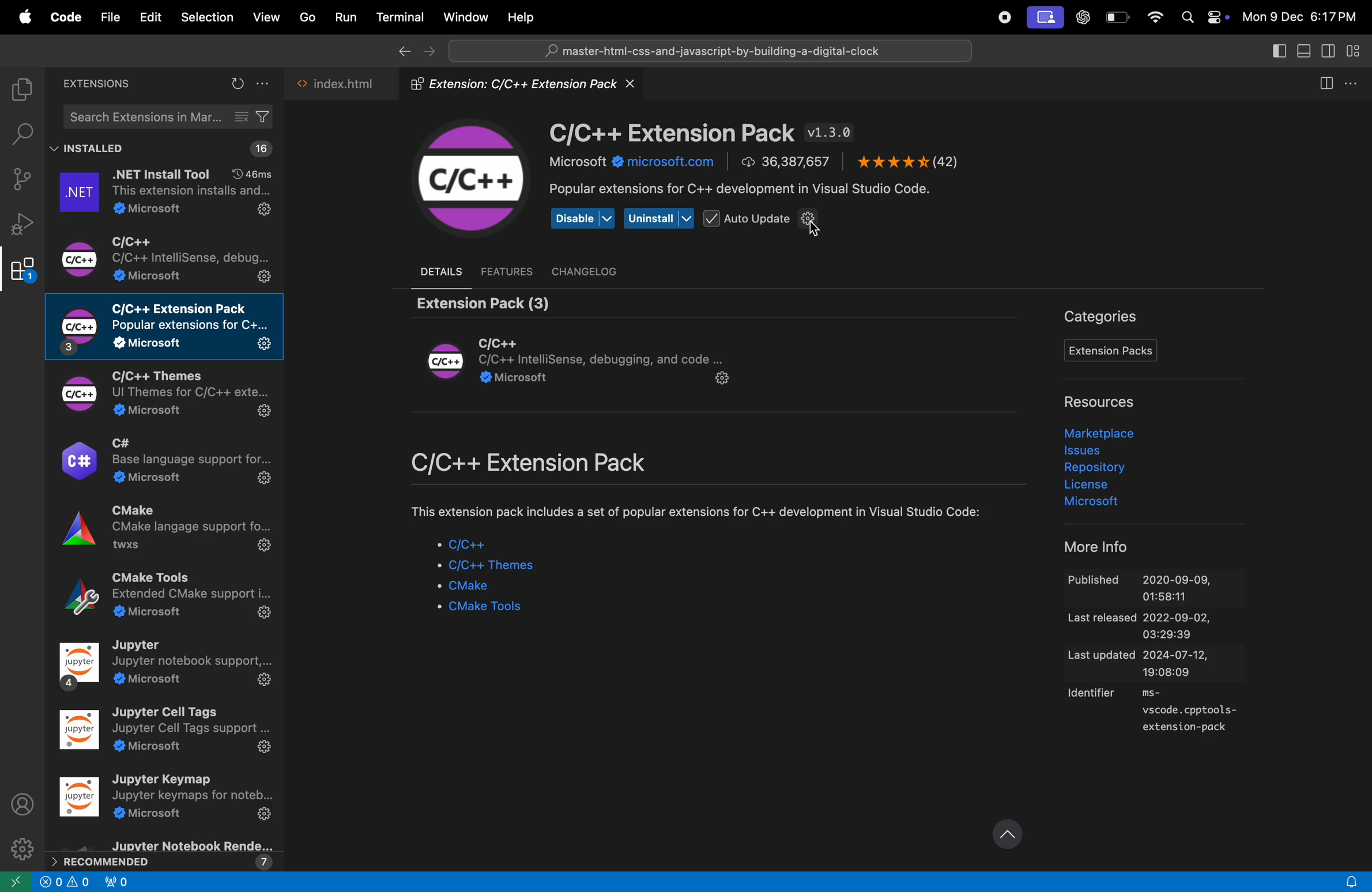 The width and height of the screenshot is (1372, 892). Describe the element at coordinates (659, 218) in the screenshot. I see `uninstall` at that location.